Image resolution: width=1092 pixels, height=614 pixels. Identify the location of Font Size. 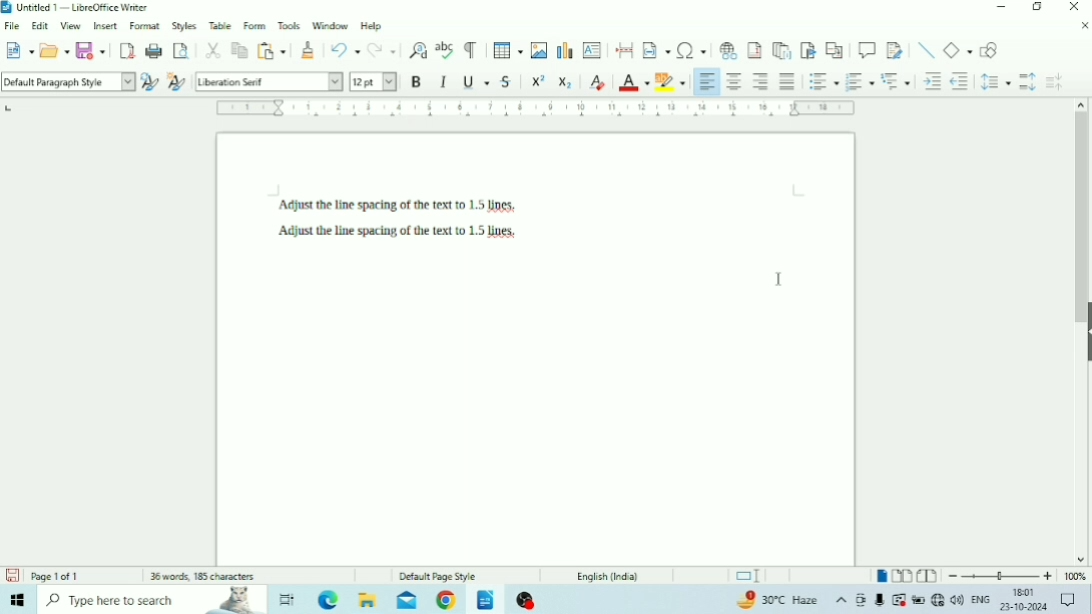
(373, 81).